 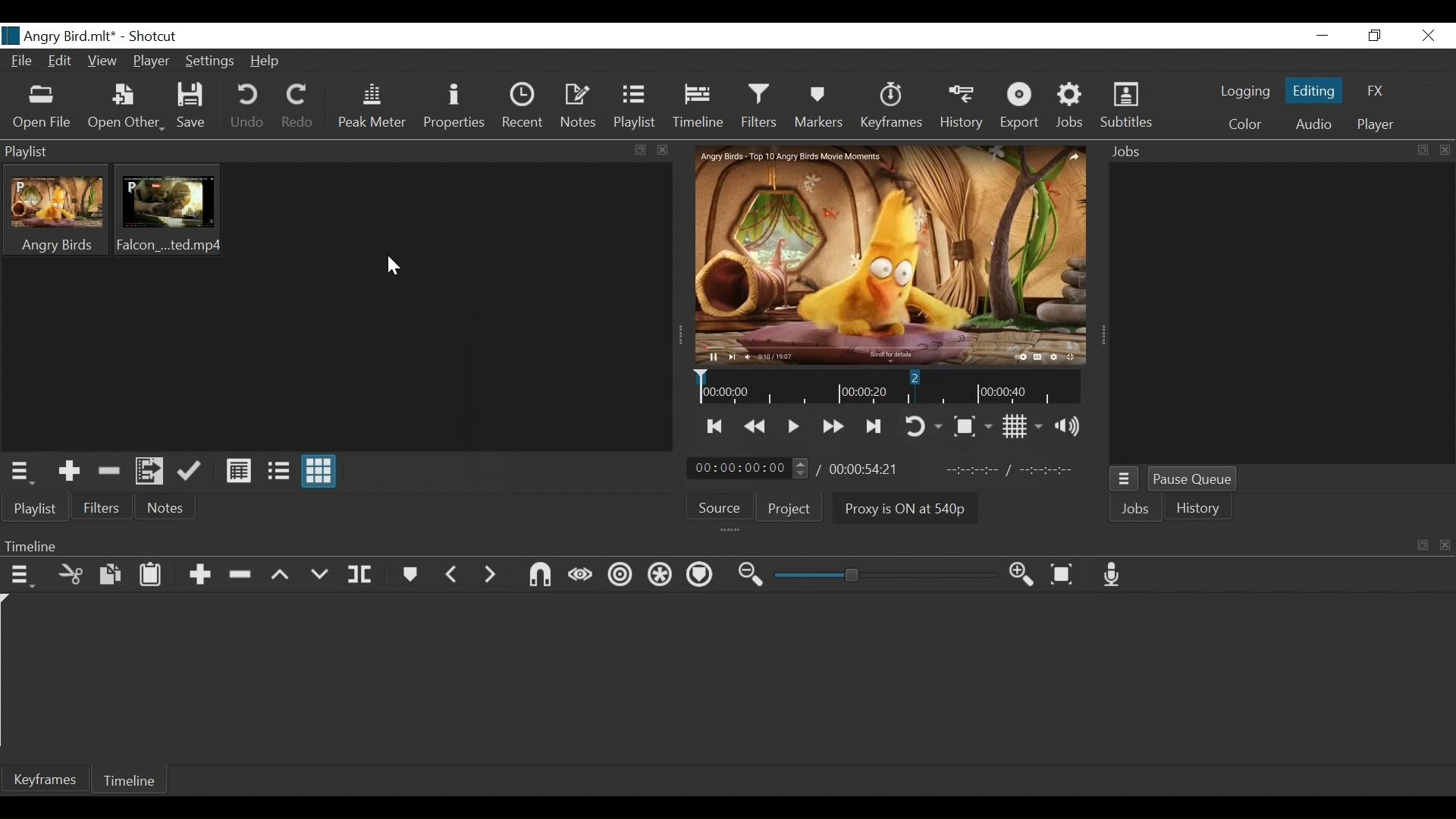 What do you see at coordinates (167, 507) in the screenshot?
I see `Notes` at bounding box center [167, 507].